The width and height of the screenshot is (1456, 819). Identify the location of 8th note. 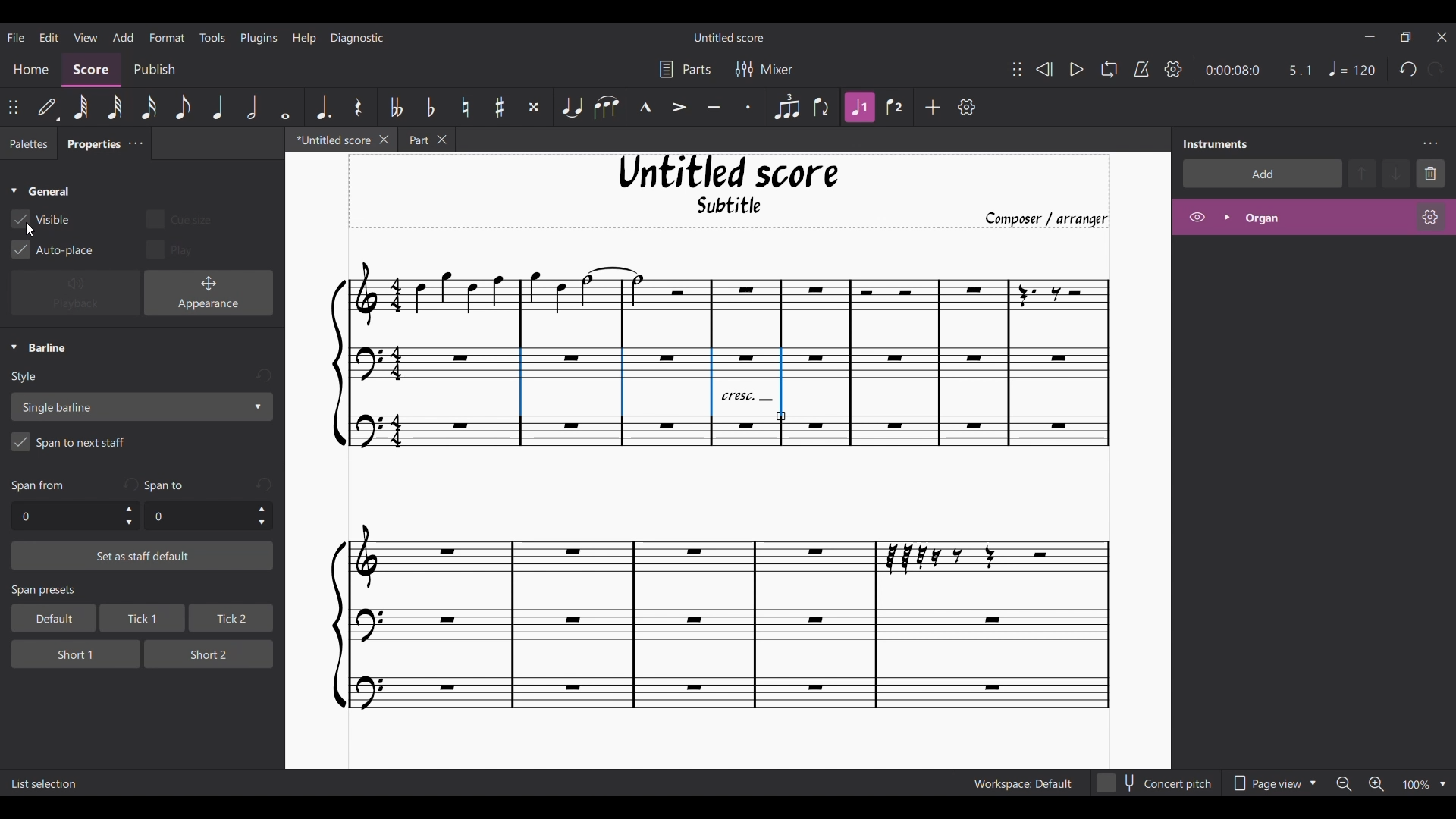
(181, 108).